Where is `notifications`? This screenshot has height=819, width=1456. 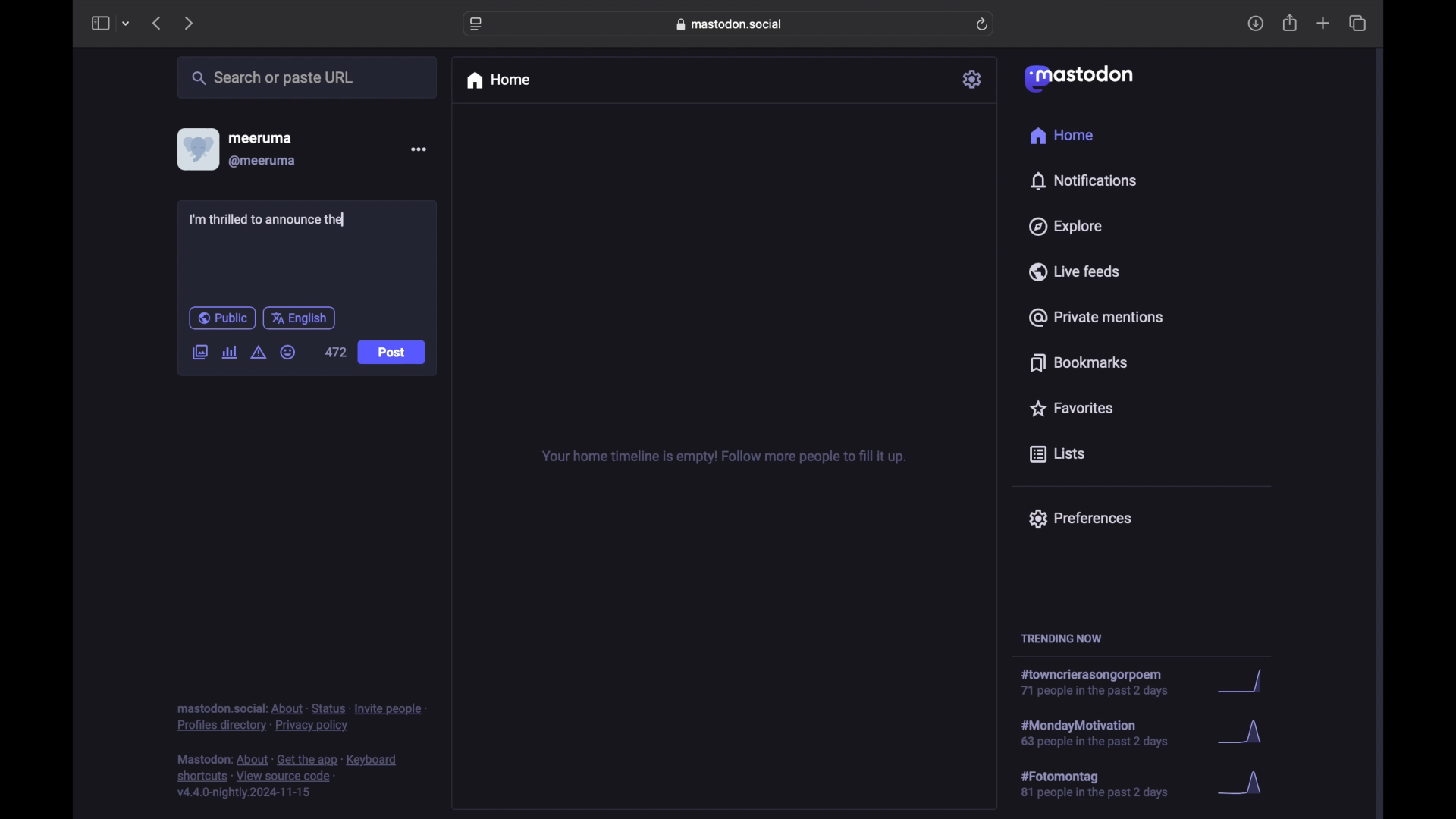
notifications is located at coordinates (1083, 181).